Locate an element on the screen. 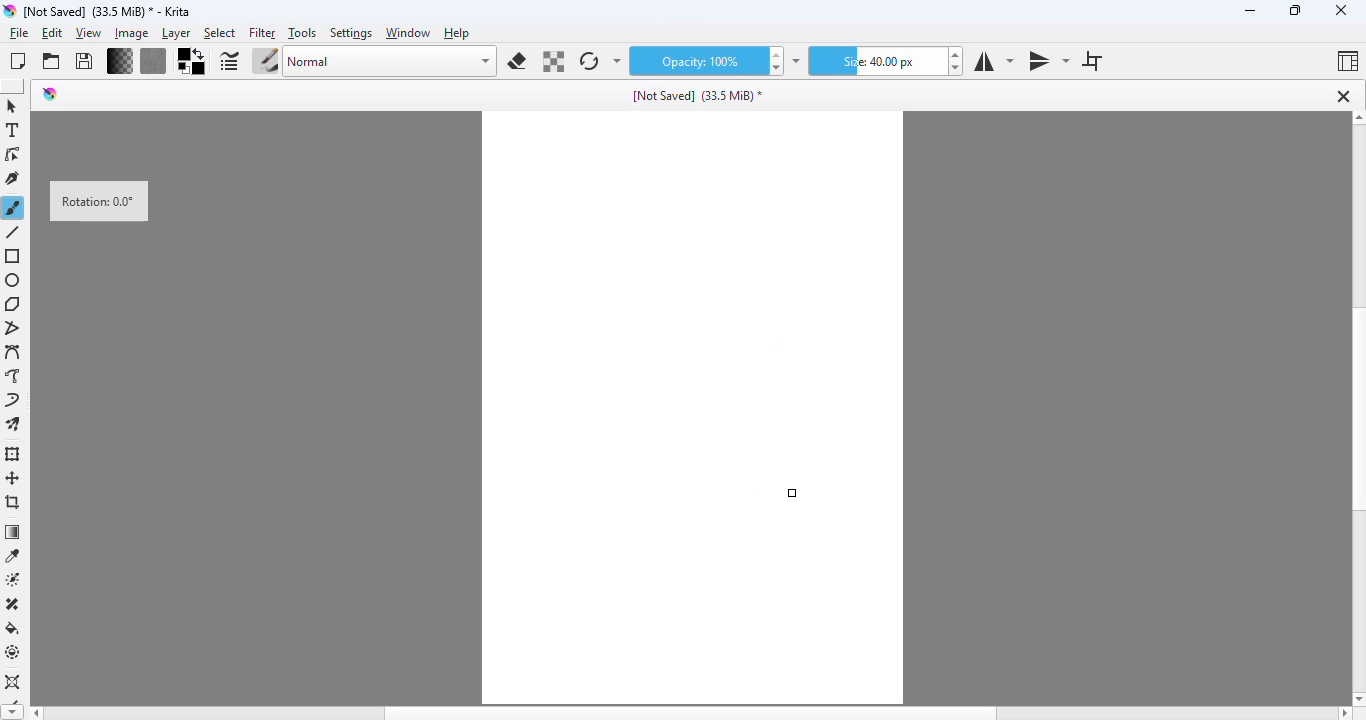  Scroll Down is located at coordinates (1357, 696).